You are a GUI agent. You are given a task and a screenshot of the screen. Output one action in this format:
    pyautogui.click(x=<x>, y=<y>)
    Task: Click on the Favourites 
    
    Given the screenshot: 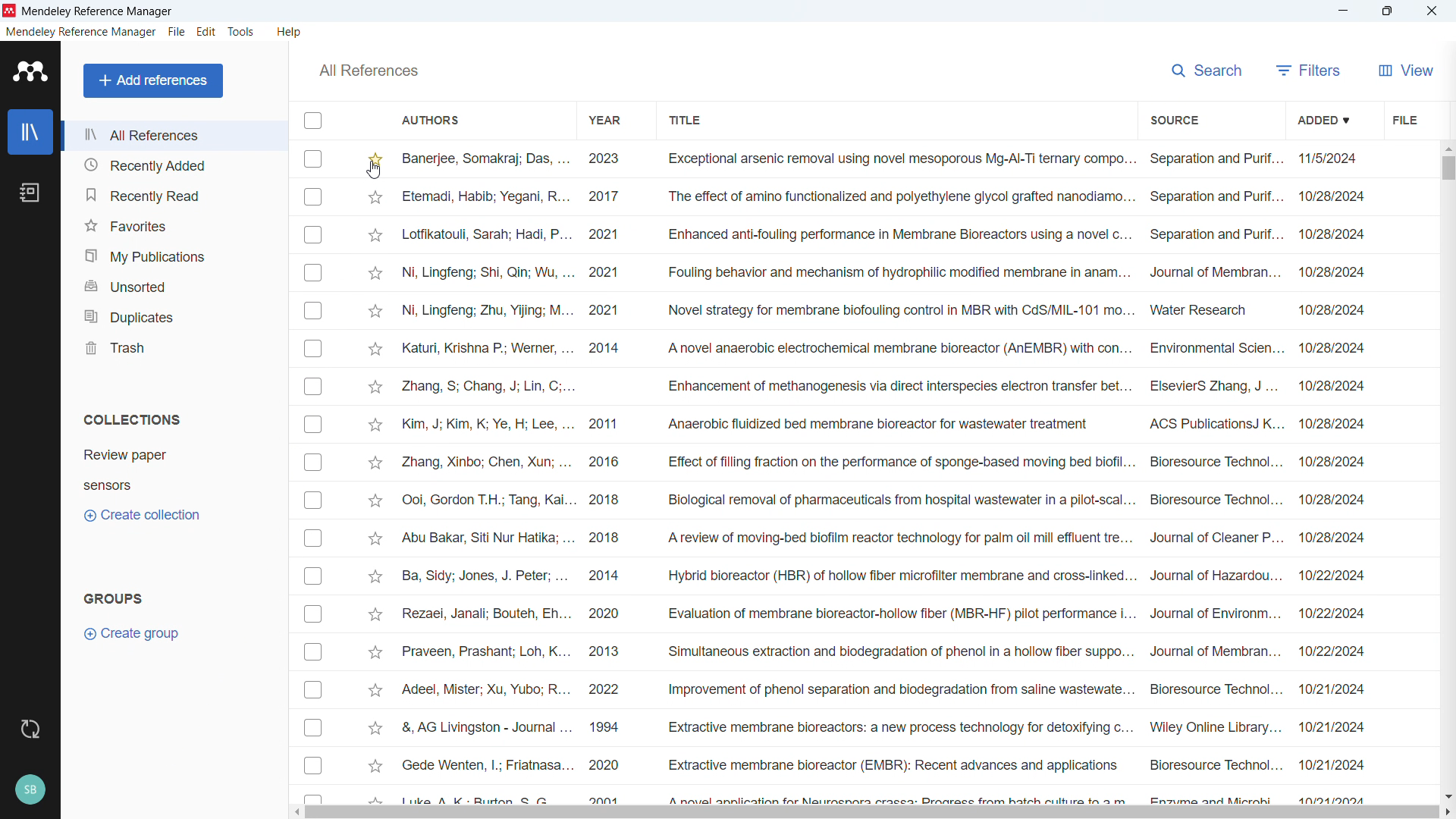 What is the action you would take?
    pyautogui.click(x=174, y=223)
    